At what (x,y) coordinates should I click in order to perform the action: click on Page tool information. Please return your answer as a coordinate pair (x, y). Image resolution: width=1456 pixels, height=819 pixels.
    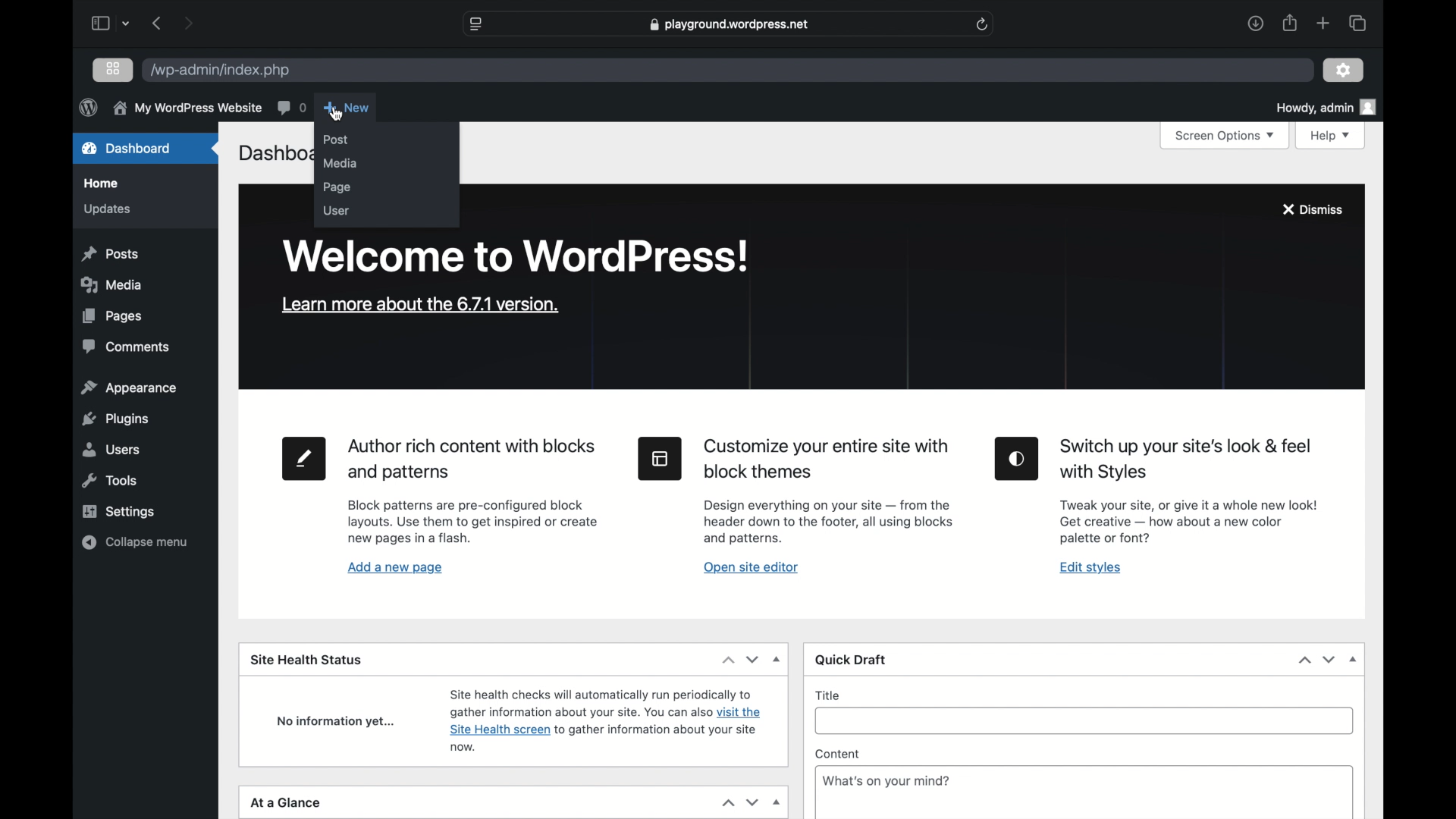
    Looking at the image, I should click on (473, 522).